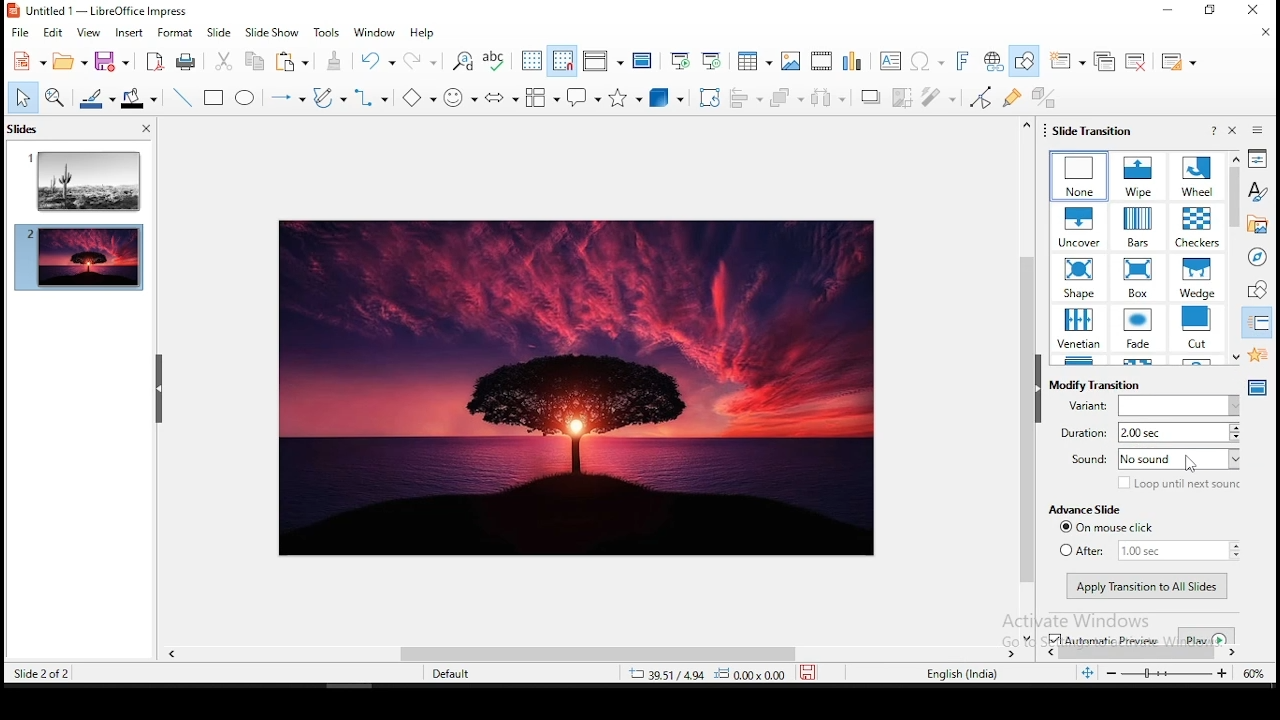 The image size is (1280, 720). Describe the element at coordinates (1258, 162) in the screenshot. I see `properties` at that location.